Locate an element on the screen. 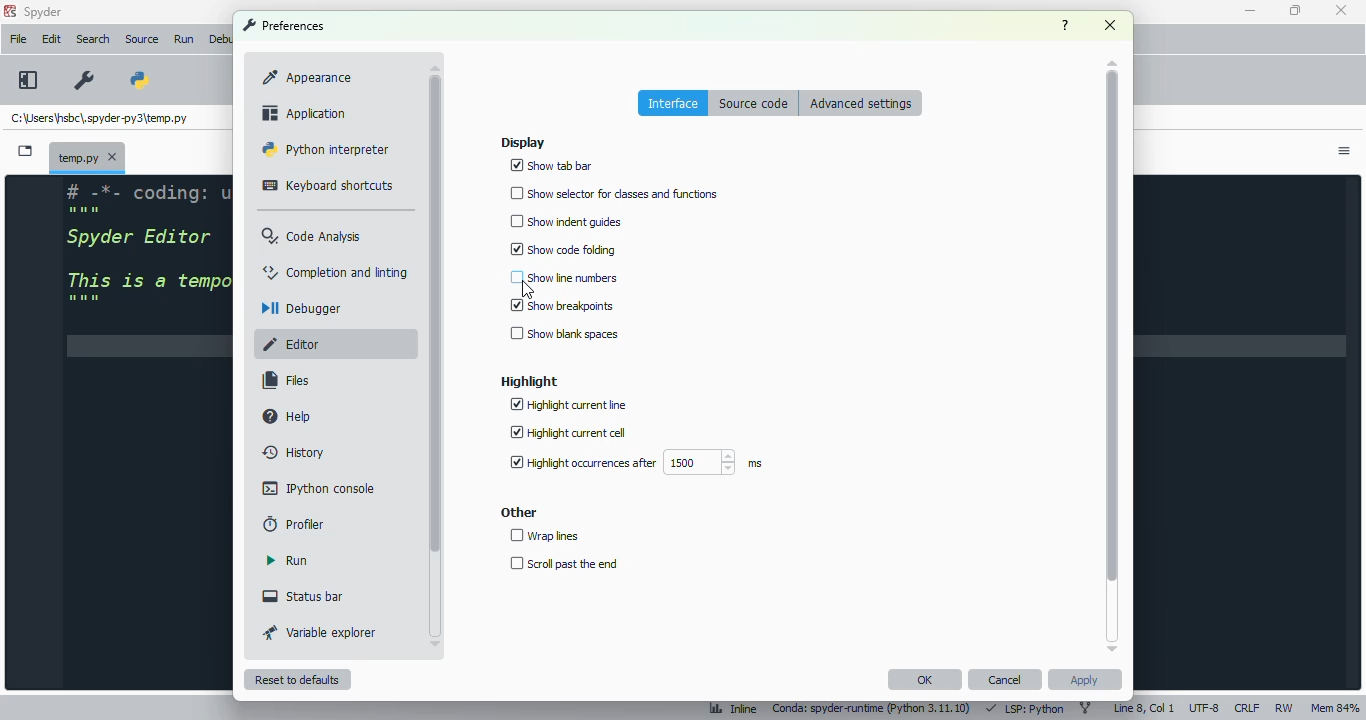  highlights is located at coordinates (529, 382).